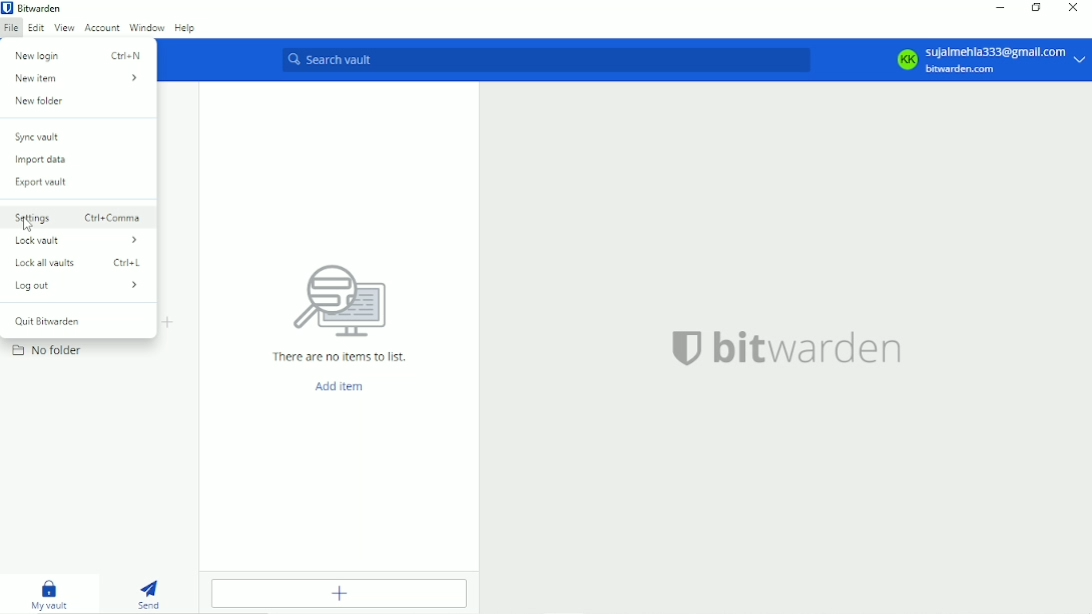 This screenshot has width=1092, height=614. What do you see at coordinates (103, 28) in the screenshot?
I see `Account` at bounding box center [103, 28].